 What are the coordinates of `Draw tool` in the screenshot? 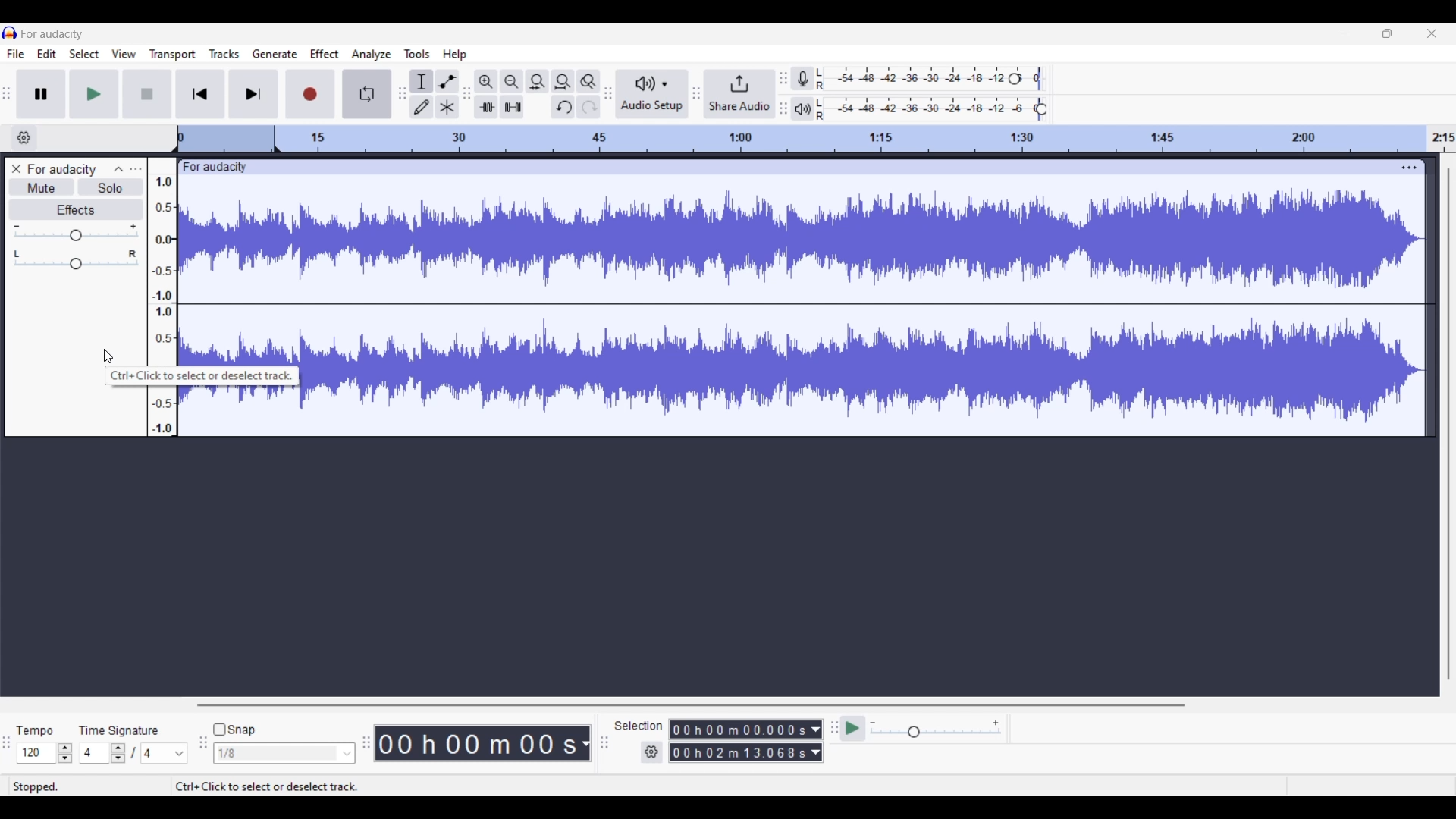 It's located at (422, 107).